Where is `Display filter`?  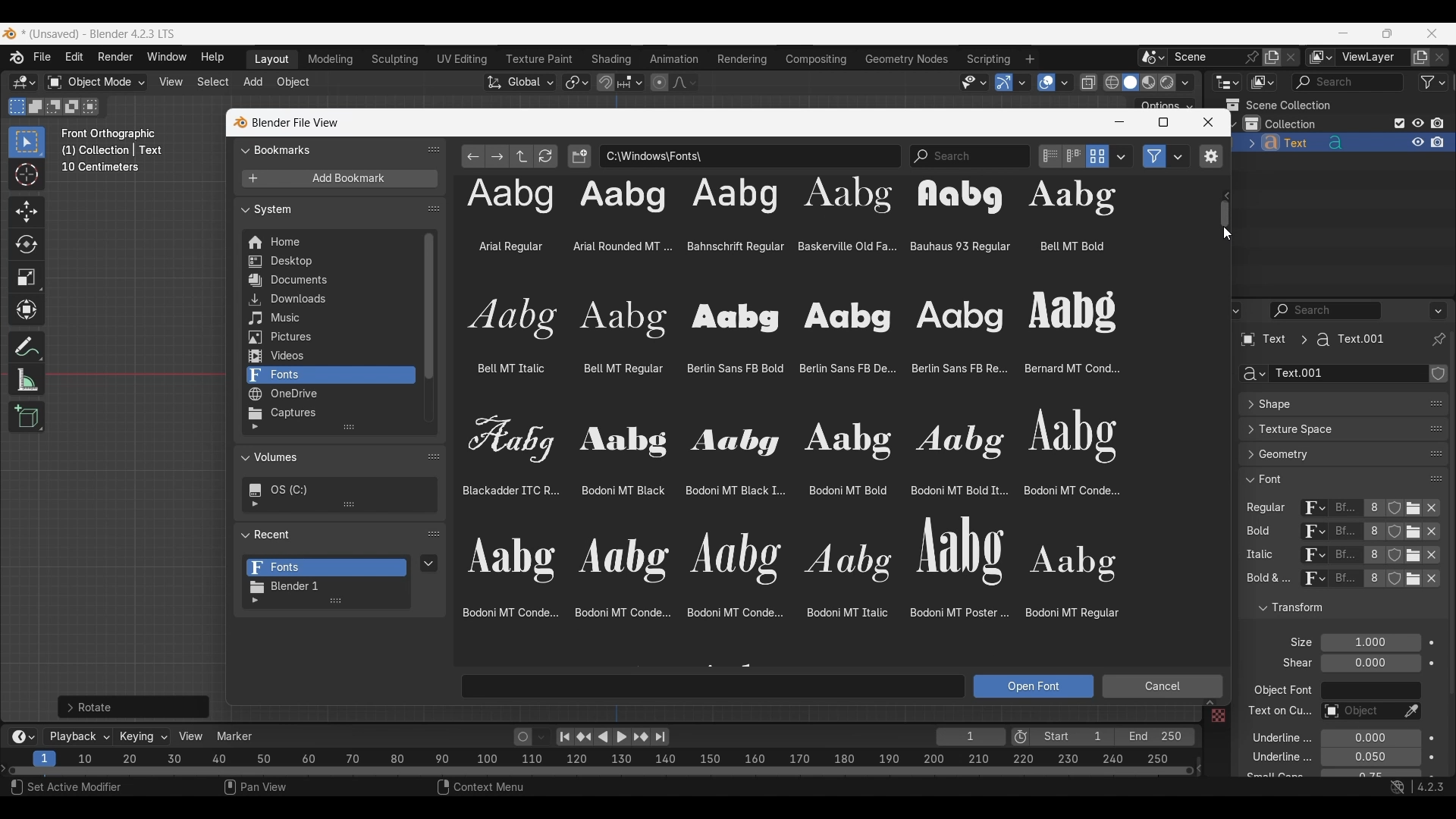 Display filter is located at coordinates (1326, 310).